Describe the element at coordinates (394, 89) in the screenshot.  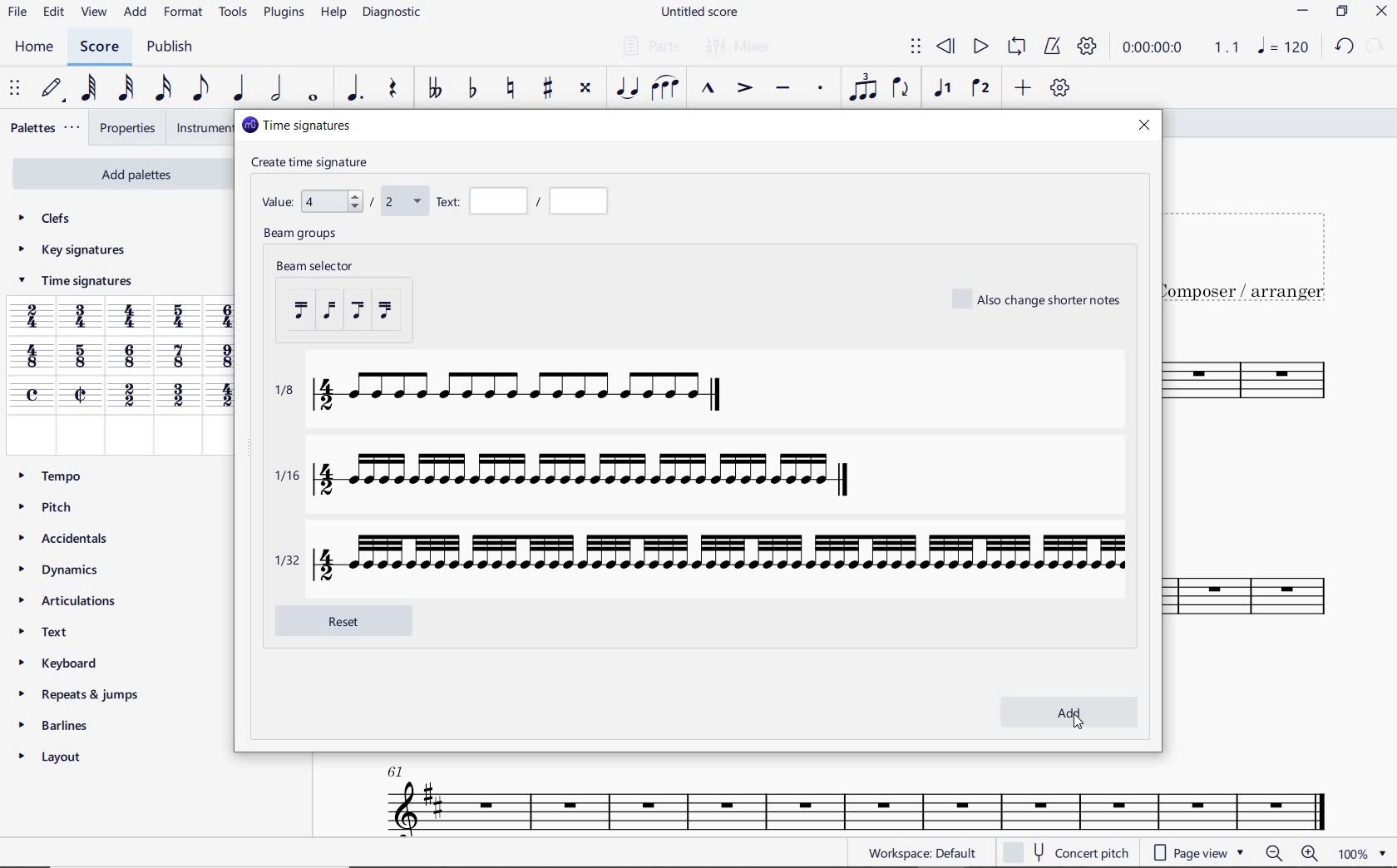
I see `REST` at that location.